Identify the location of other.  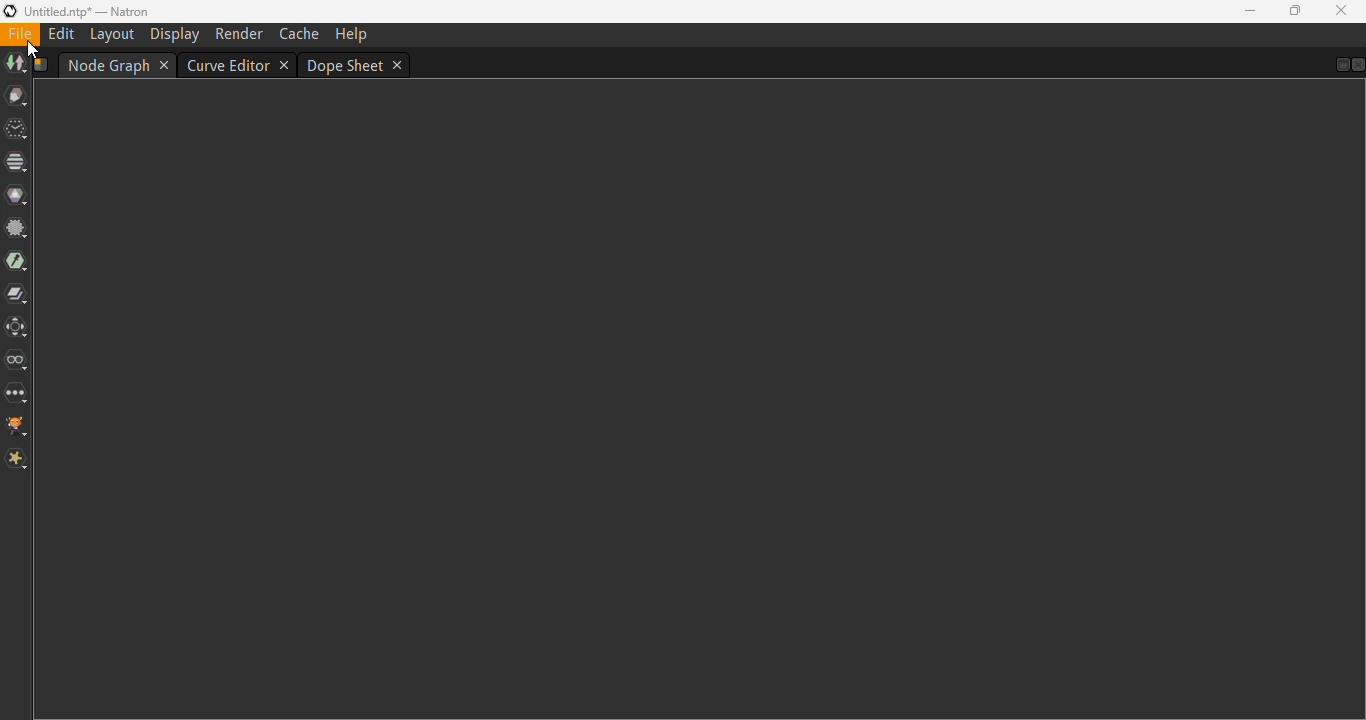
(18, 395).